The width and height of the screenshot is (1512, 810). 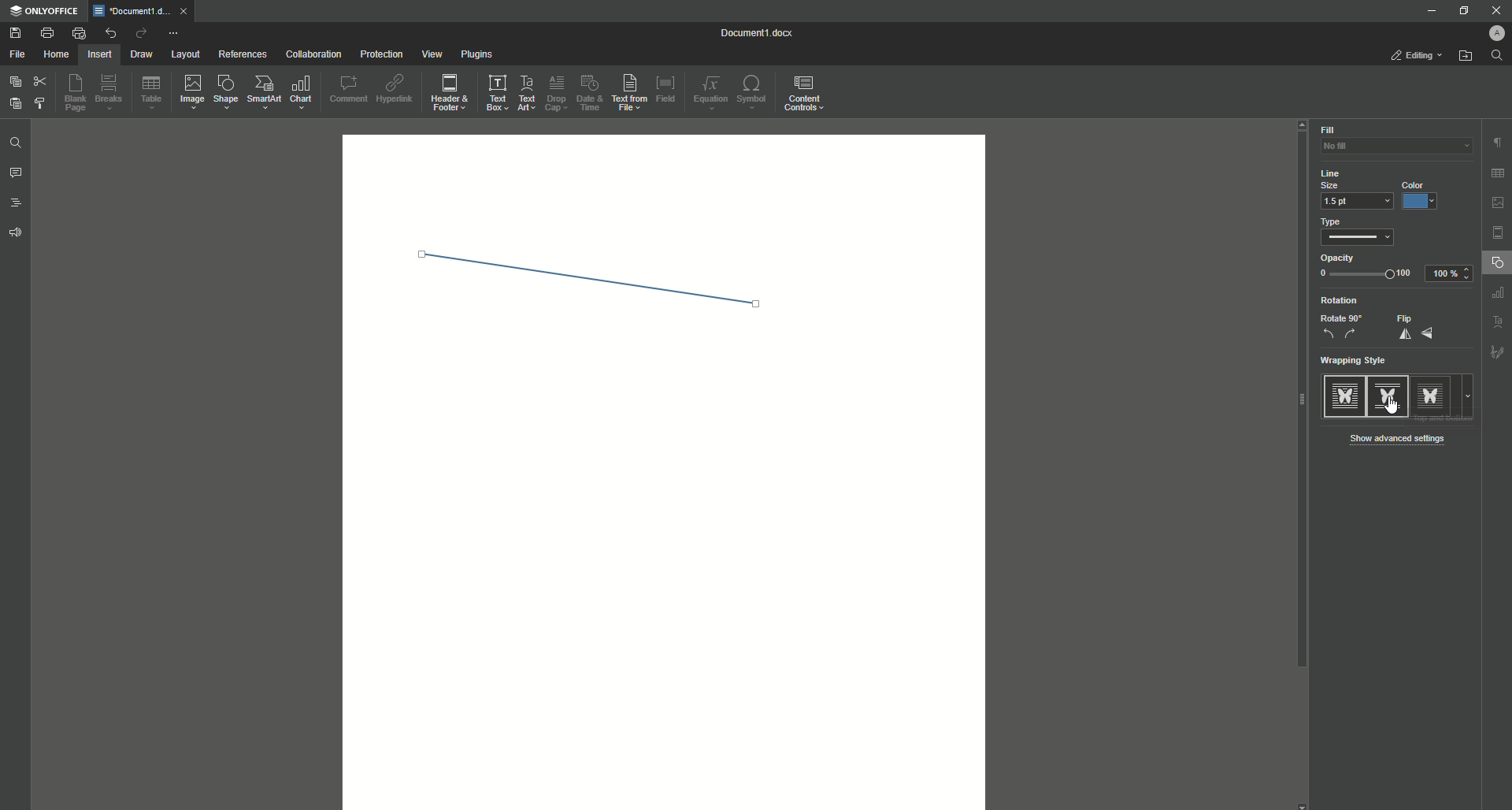 What do you see at coordinates (1493, 322) in the screenshot?
I see `` at bounding box center [1493, 322].